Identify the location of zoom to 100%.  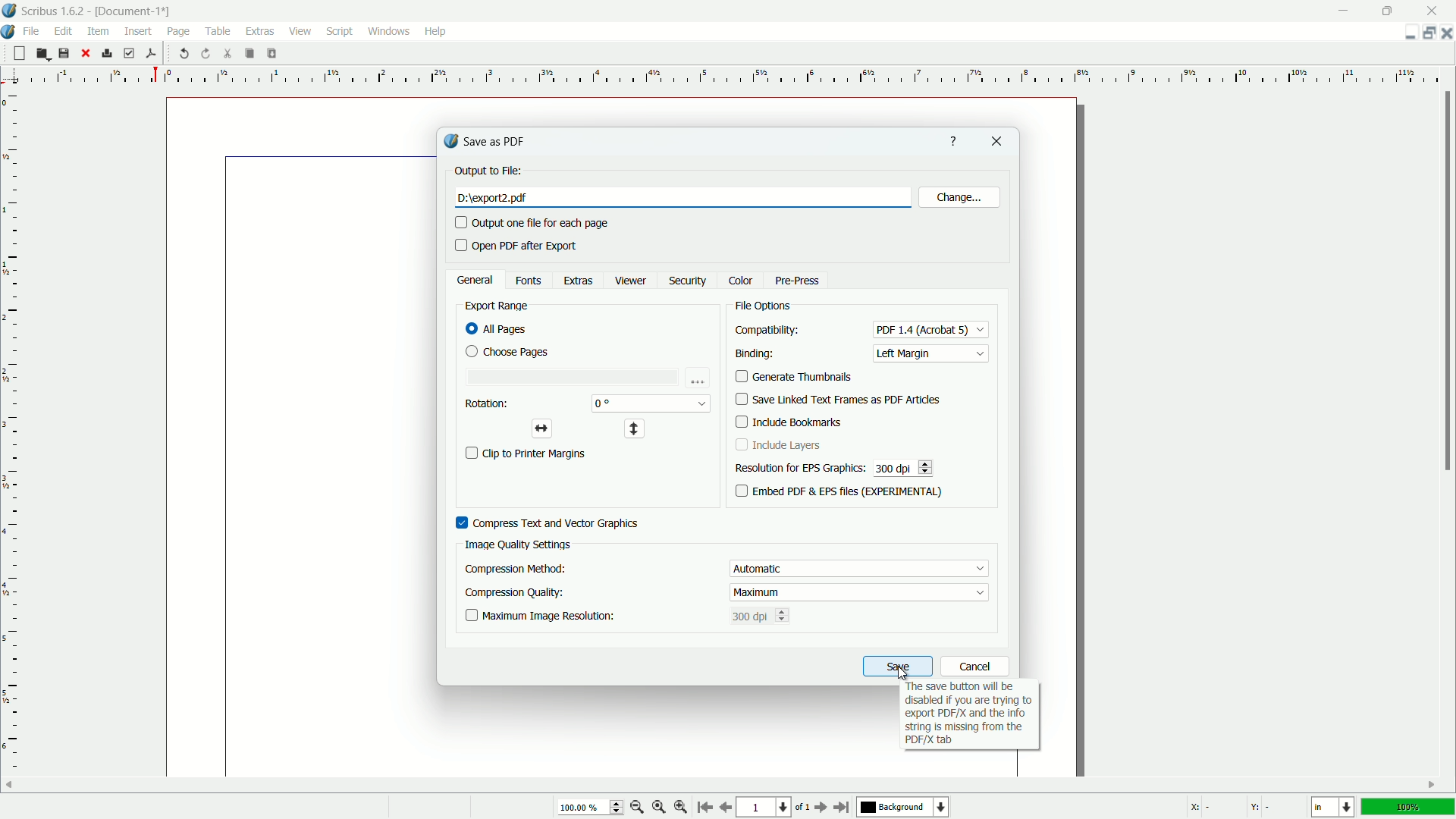
(659, 808).